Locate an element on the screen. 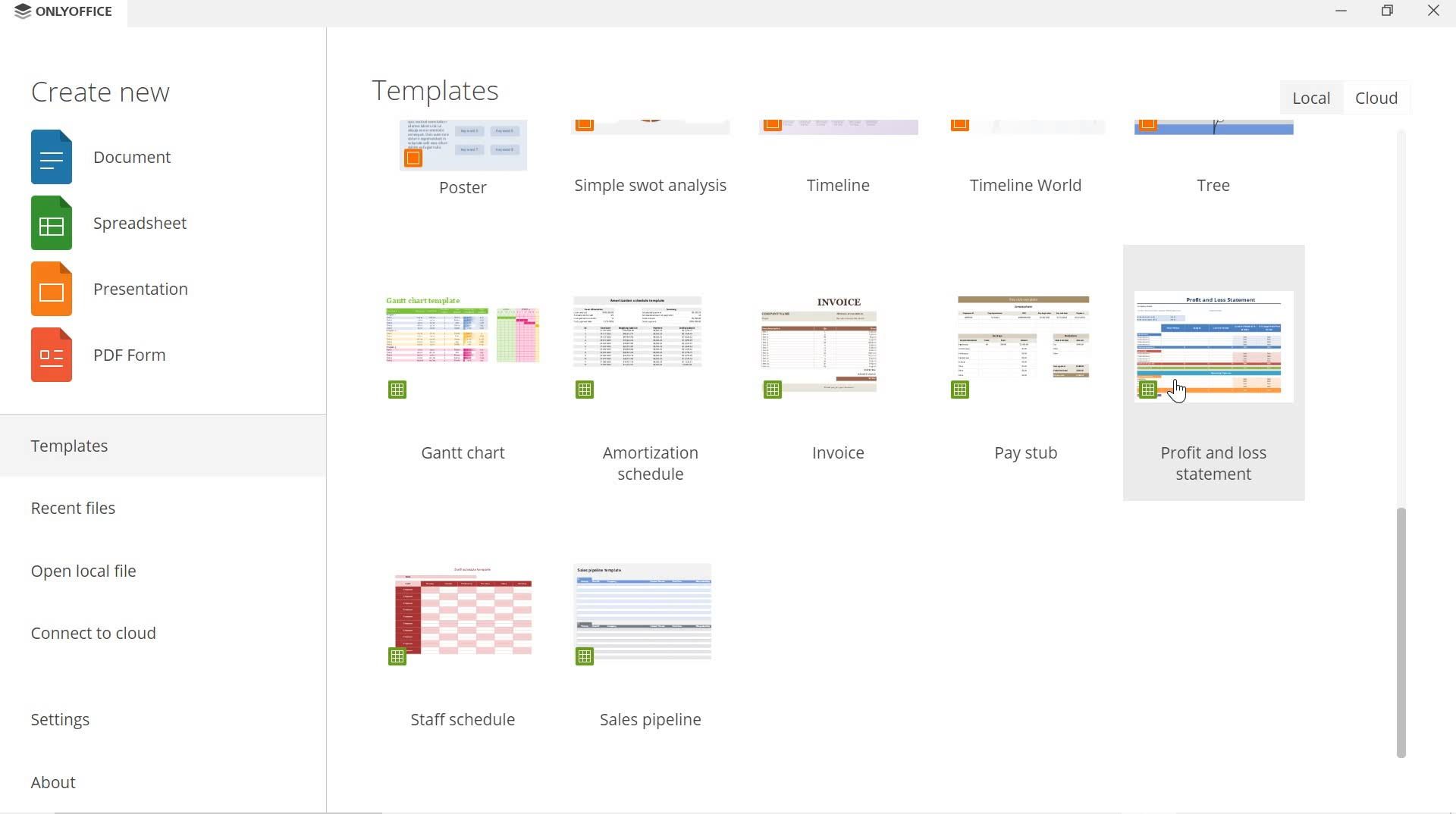 The height and width of the screenshot is (814, 1456). scrollbar is located at coordinates (1404, 446).